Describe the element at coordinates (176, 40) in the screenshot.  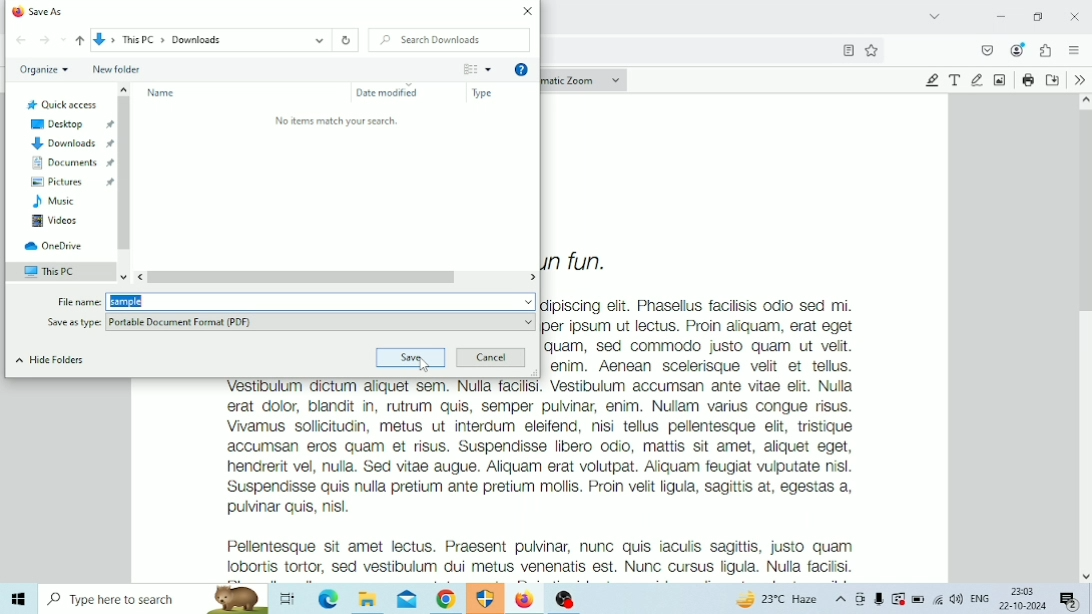
I see `File Path` at that location.